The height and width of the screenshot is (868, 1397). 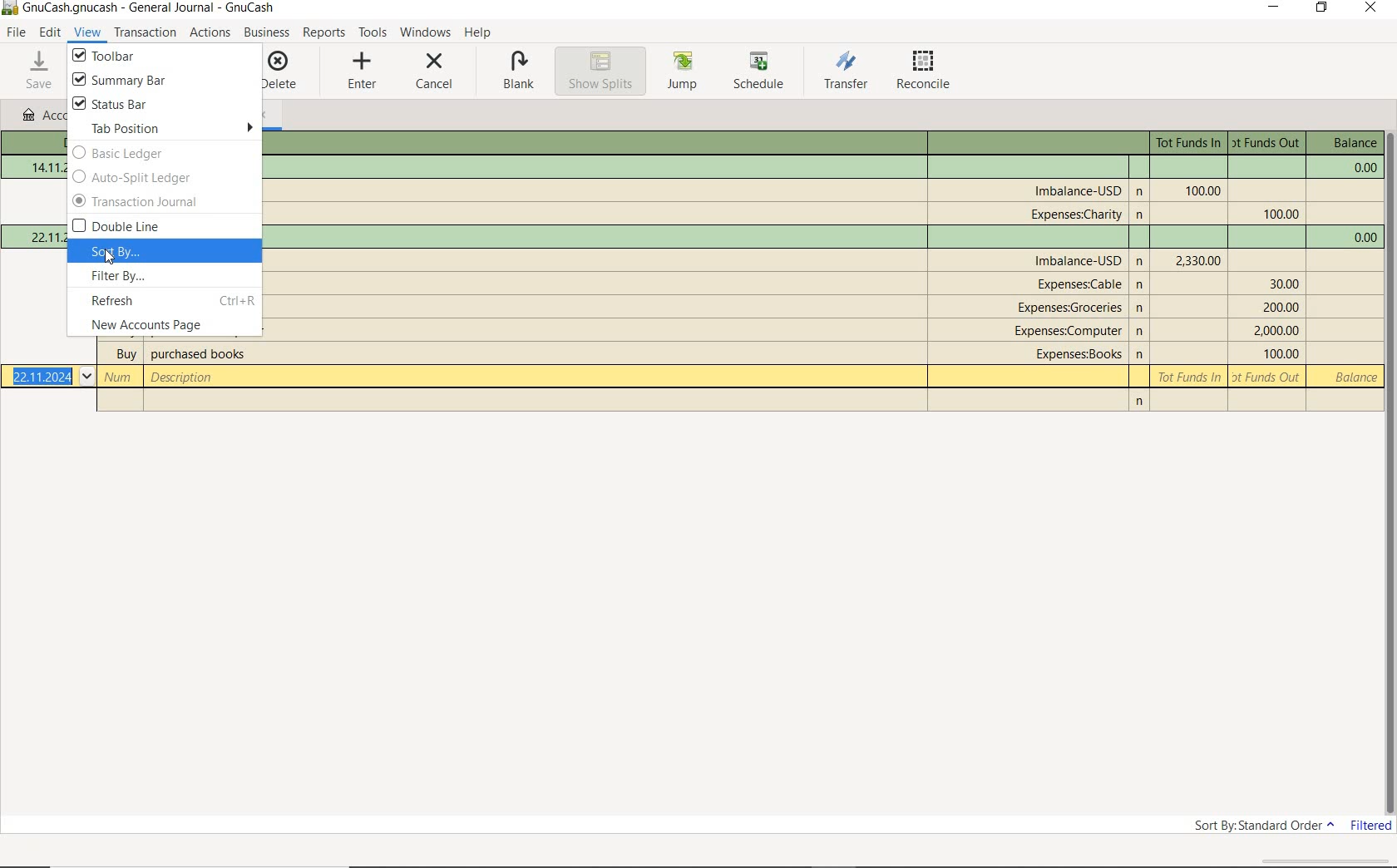 I want to click on n, so click(x=1140, y=403).